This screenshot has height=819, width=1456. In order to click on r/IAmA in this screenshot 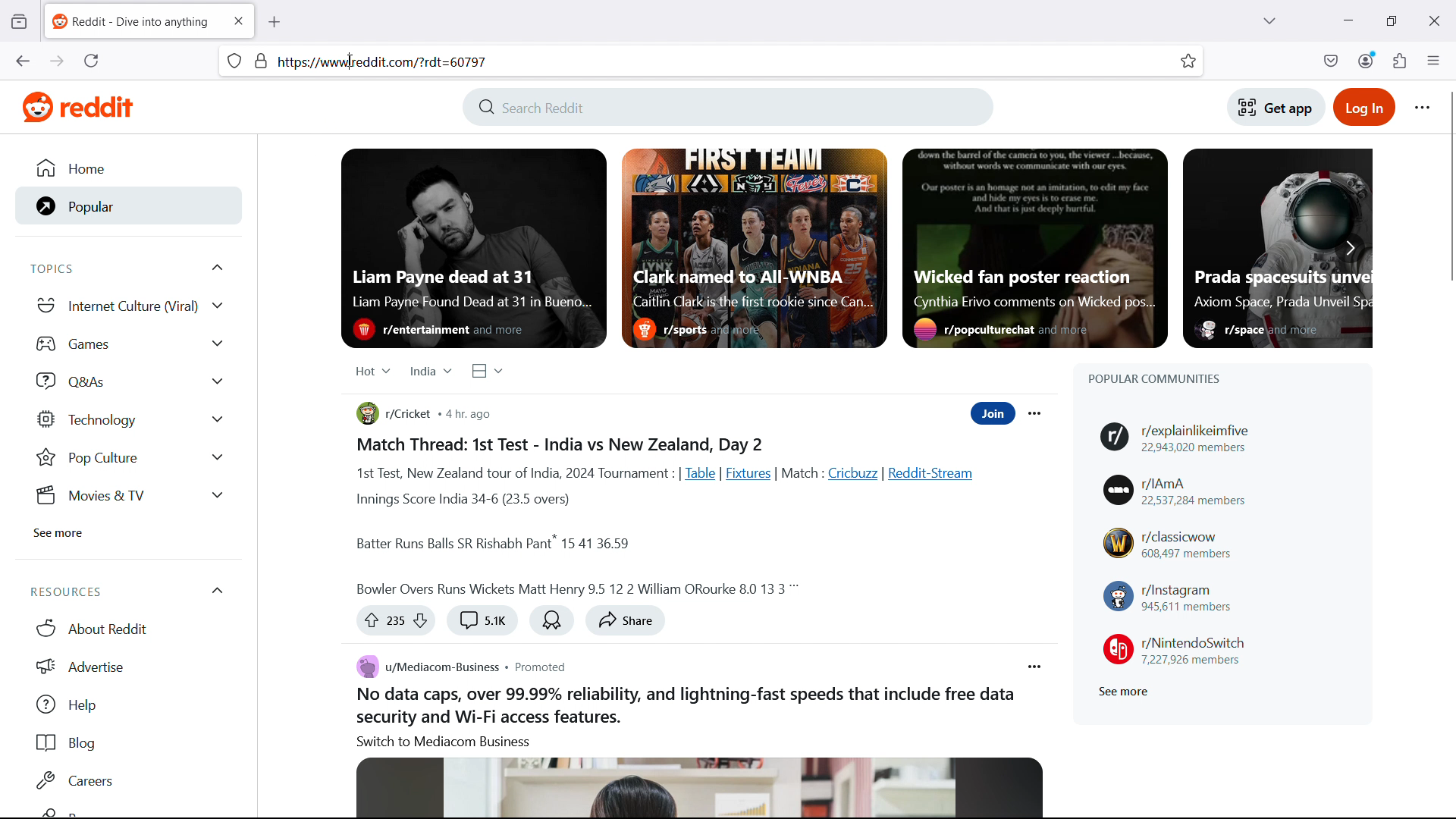, I will do `click(1176, 489)`.